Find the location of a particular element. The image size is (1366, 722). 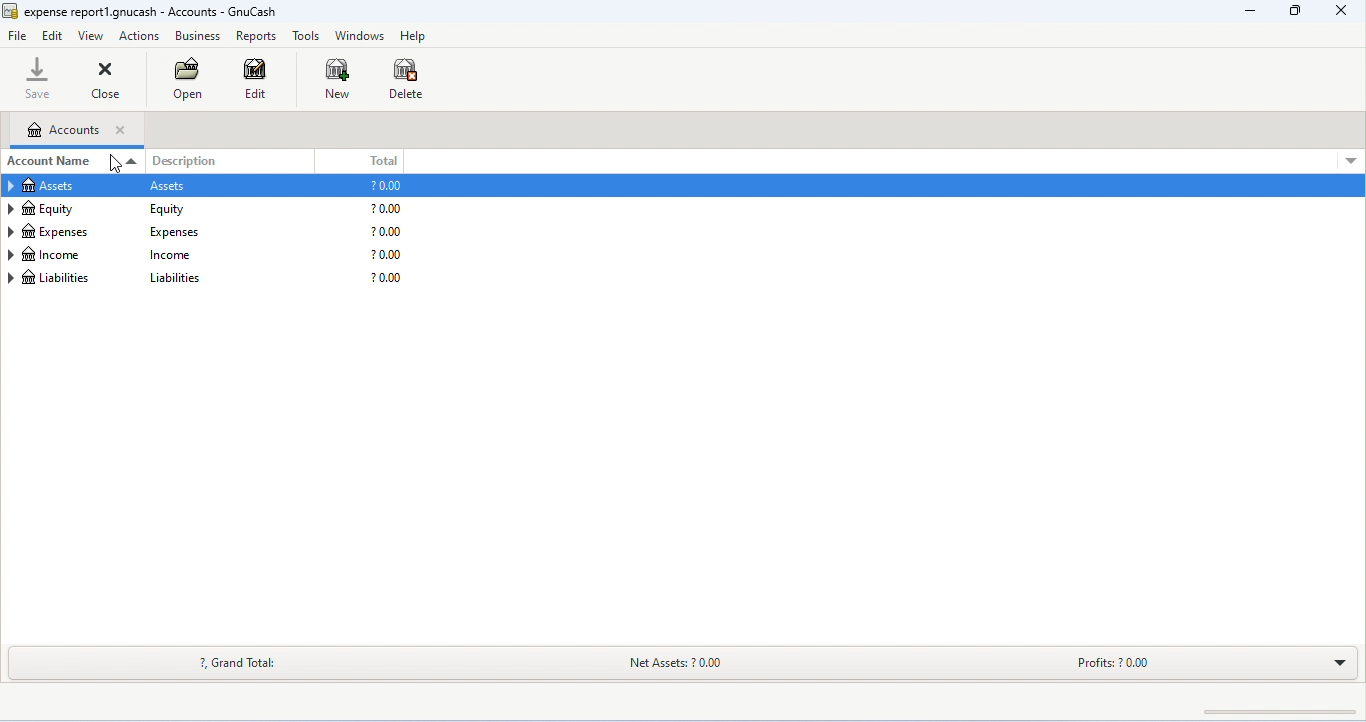

close is located at coordinates (1340, 11).